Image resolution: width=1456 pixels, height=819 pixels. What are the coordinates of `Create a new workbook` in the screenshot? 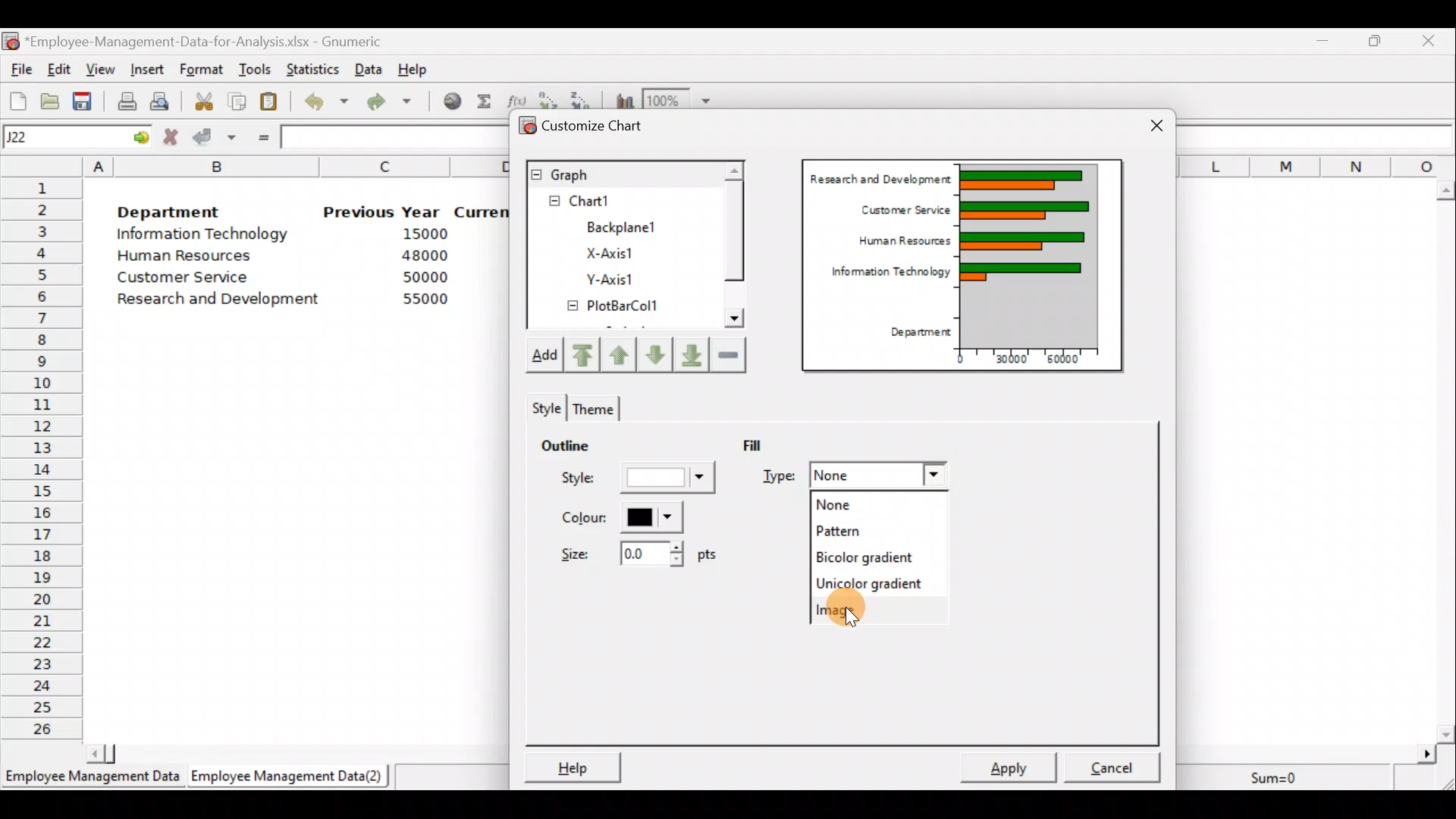 It's located at (17, 99).